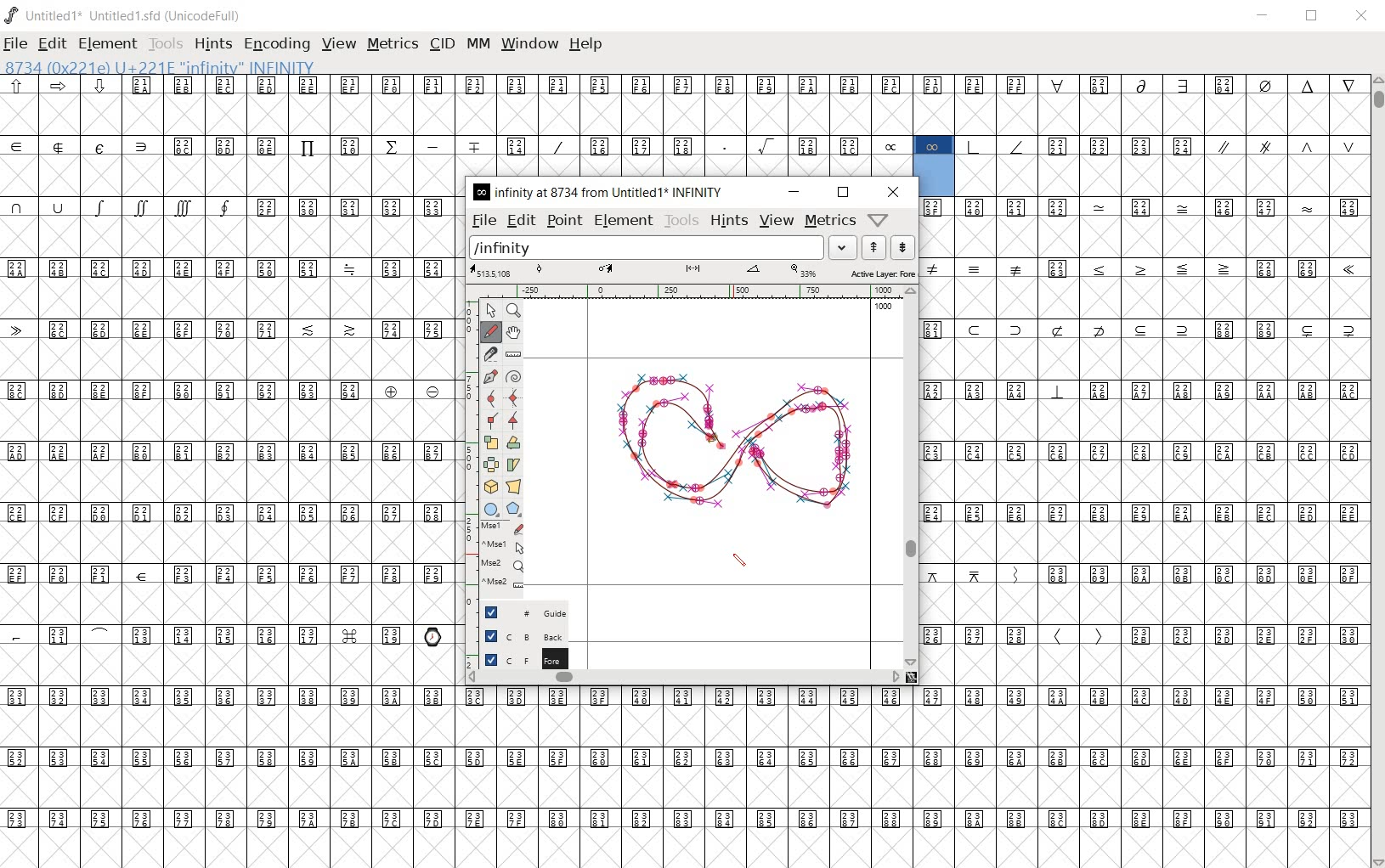  Describe the element at coordinates (491, 421) in the screenshot. I see `Add a corner point` at that location.